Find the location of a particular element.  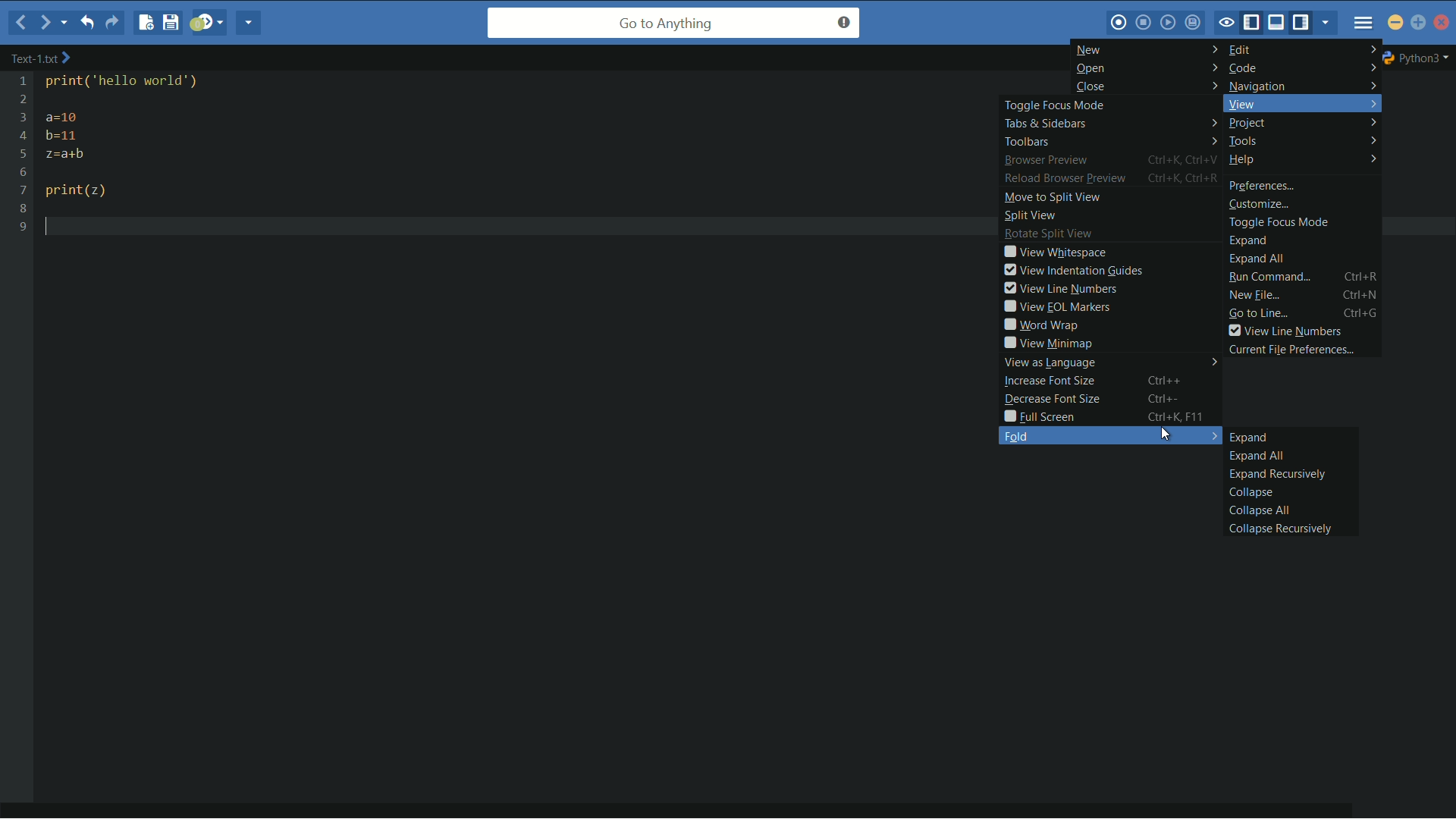

Ctrl+K, Ctrl+R is located at coordinates (1185, 178).